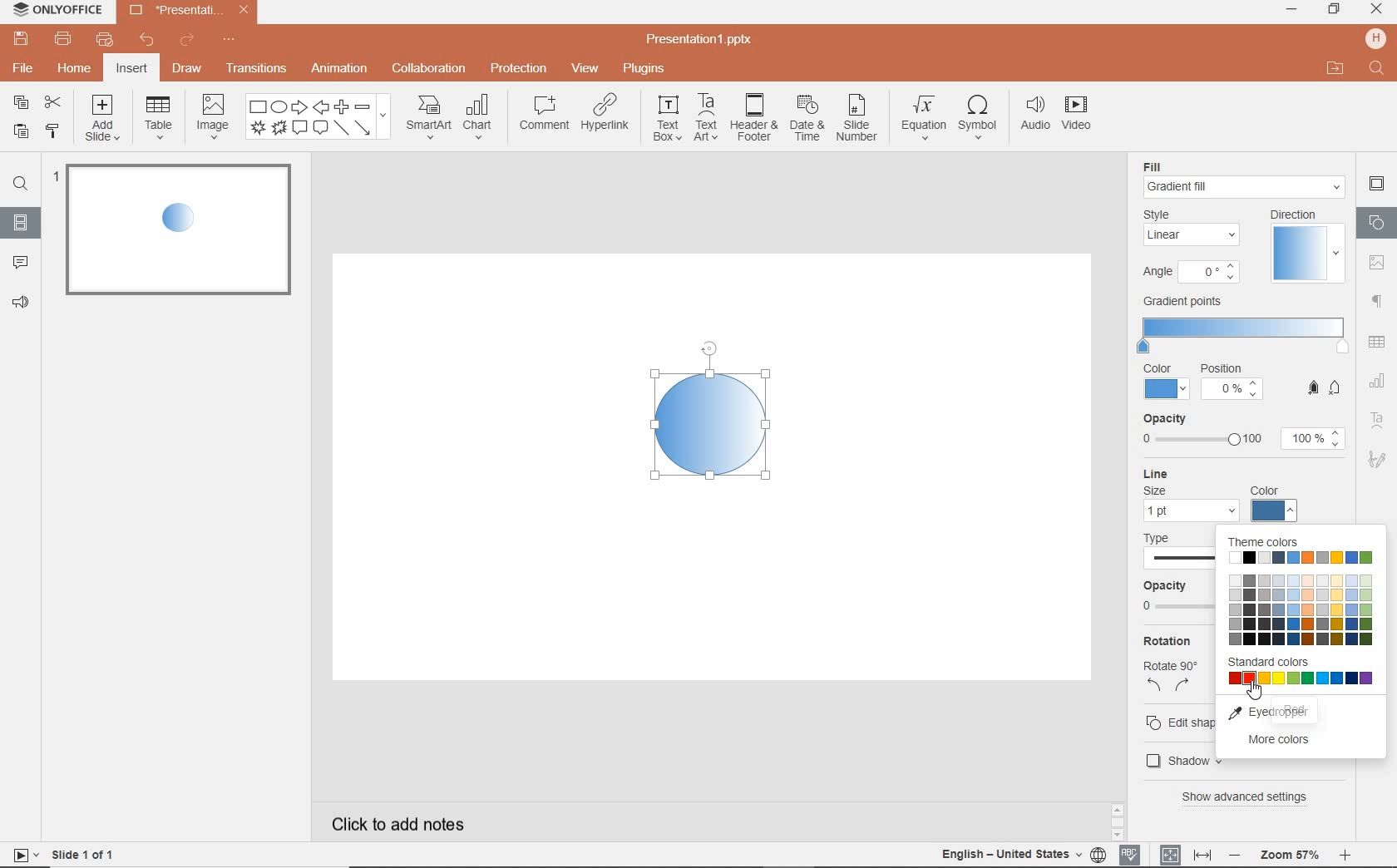 The width and height of the screenshot is (1397, 868). Describe the element at coordinates (390, 823) in the screenshot. I see `click to add notes` at that location.